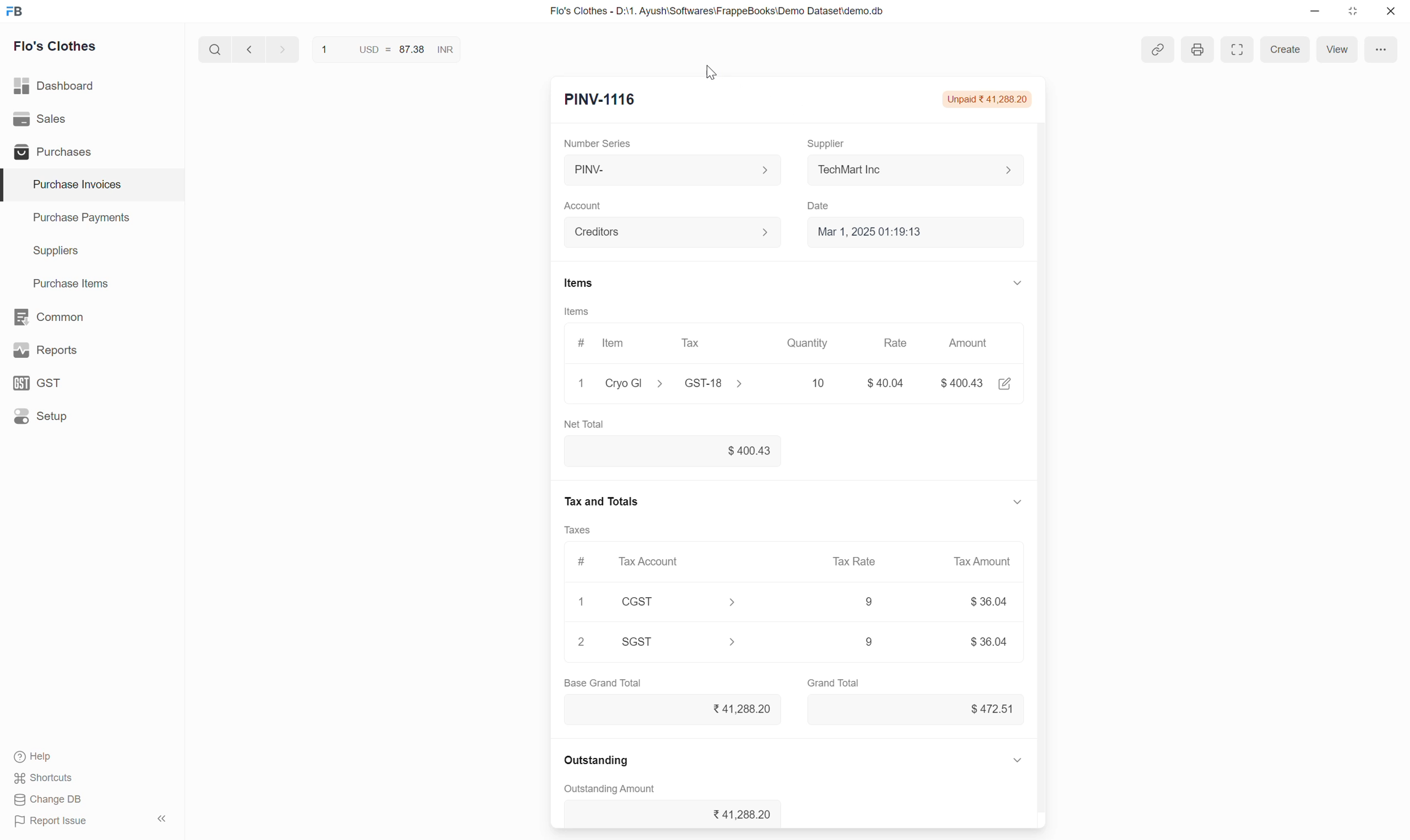 This screenshot has width=1410, height=840. I want to click on cursor, so click(717, 75).